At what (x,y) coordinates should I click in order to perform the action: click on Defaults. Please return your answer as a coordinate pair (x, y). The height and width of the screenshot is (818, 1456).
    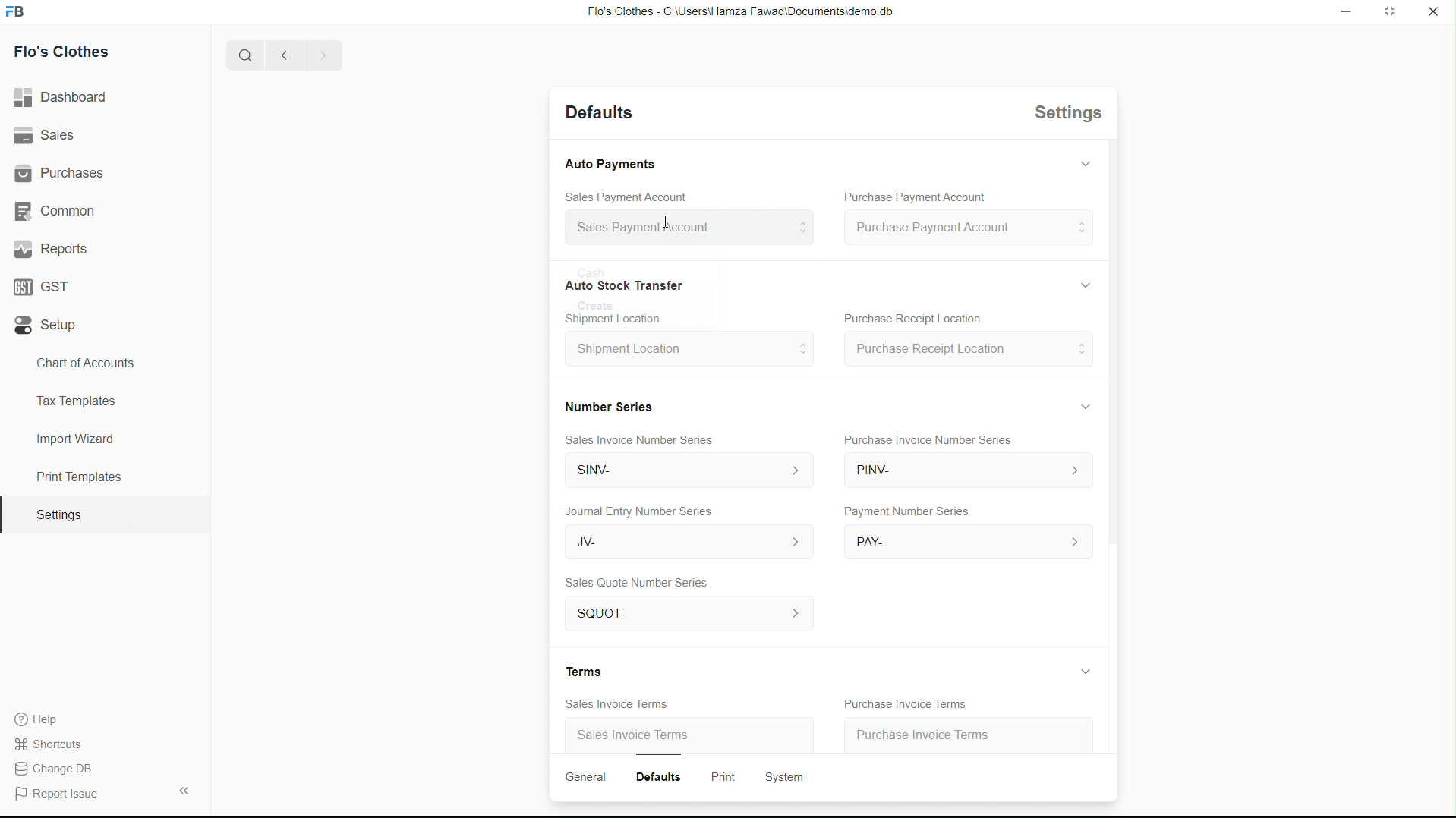
    Looking at the image, I should click on (654, 776).